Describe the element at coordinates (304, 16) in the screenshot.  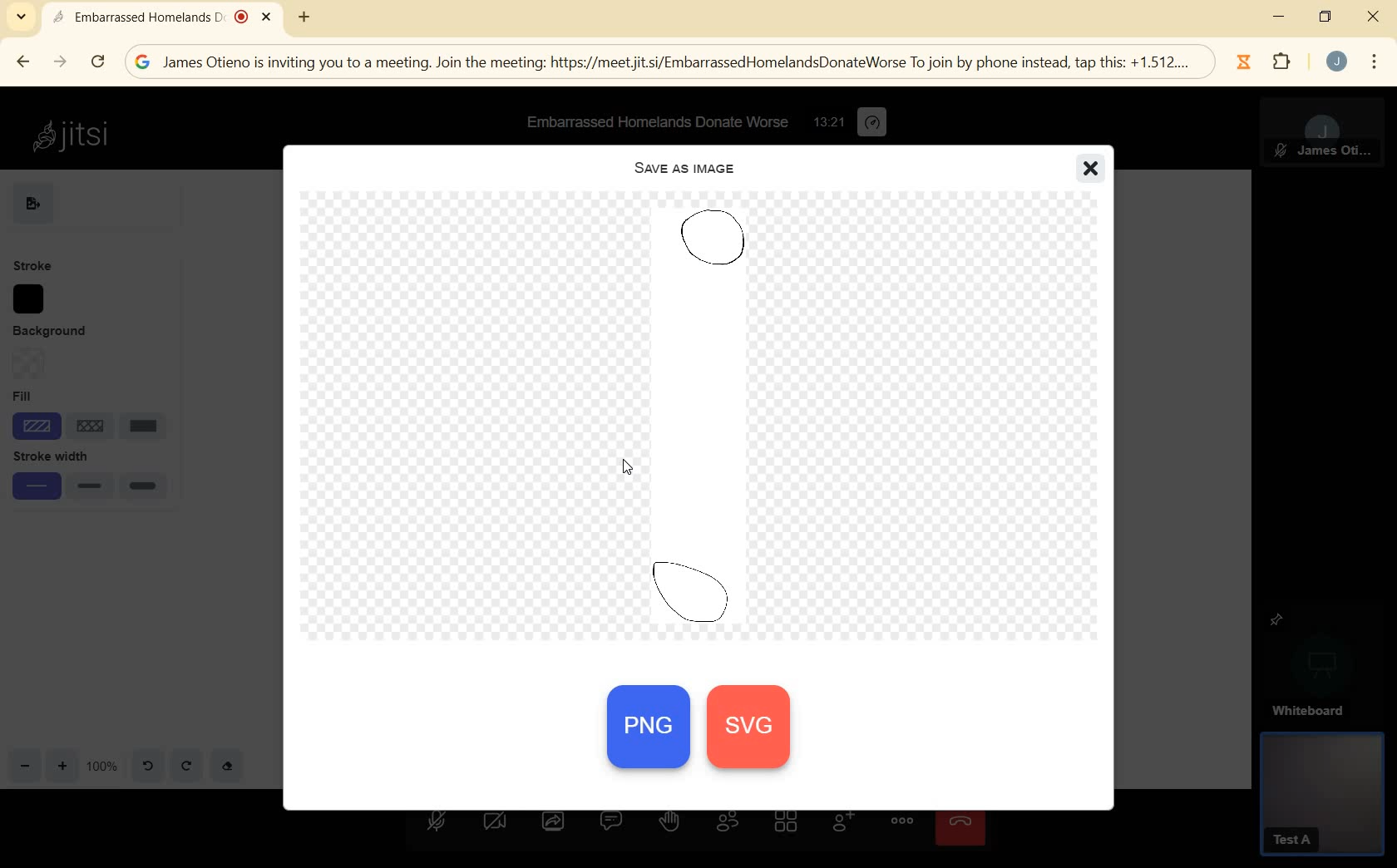
I see `new tab` at that location.